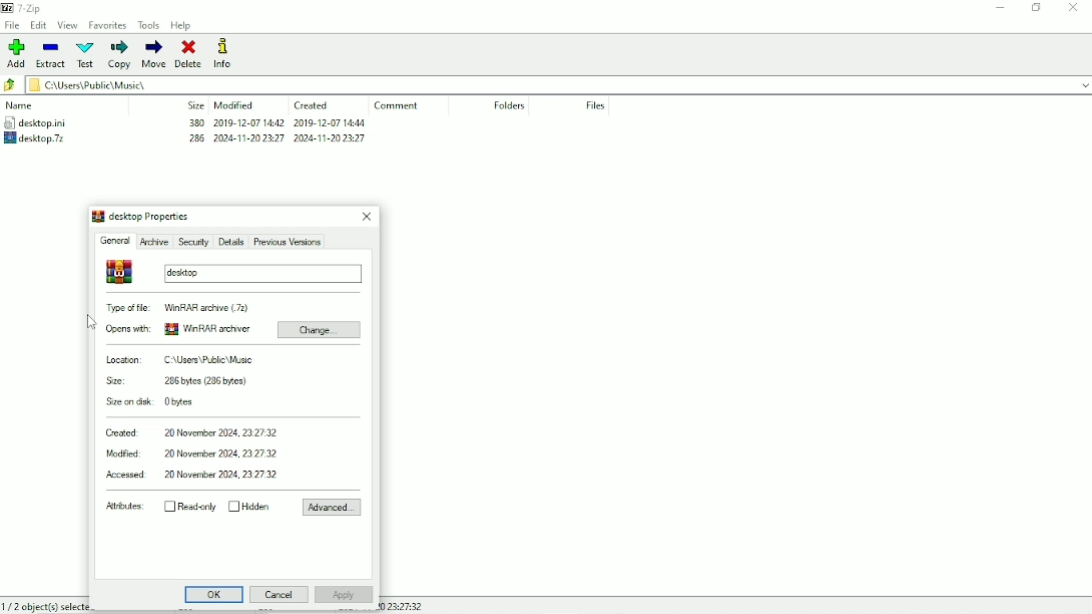 This screenshot has width=1092, height=614. Describe the element at coordinates (188, 53) in the screenshot. I see `Delete` at that location.